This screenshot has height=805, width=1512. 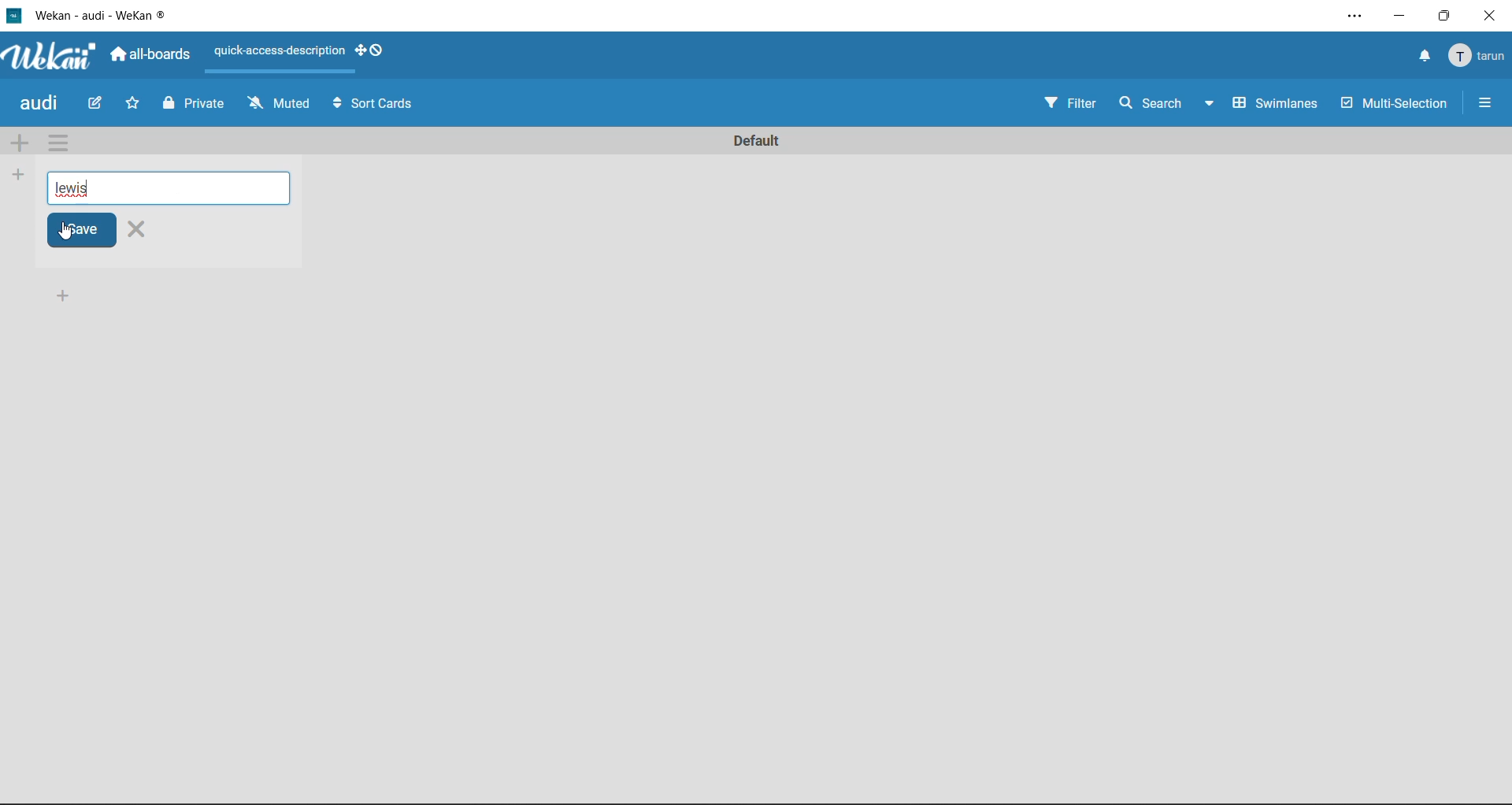 I want to click on Favorite , so click(x=133, y=103).